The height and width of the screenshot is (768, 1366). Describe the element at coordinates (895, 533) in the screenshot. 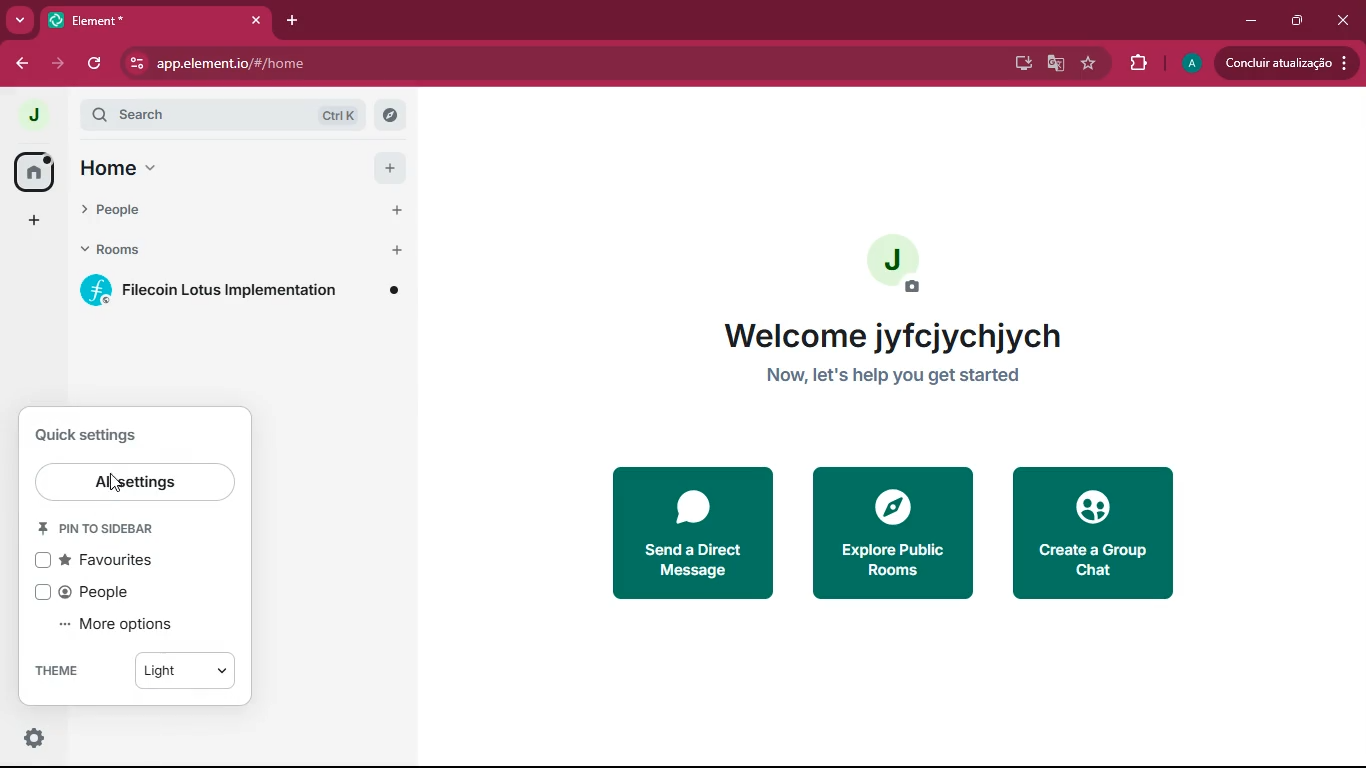

I see `explore public rooms` at that location.